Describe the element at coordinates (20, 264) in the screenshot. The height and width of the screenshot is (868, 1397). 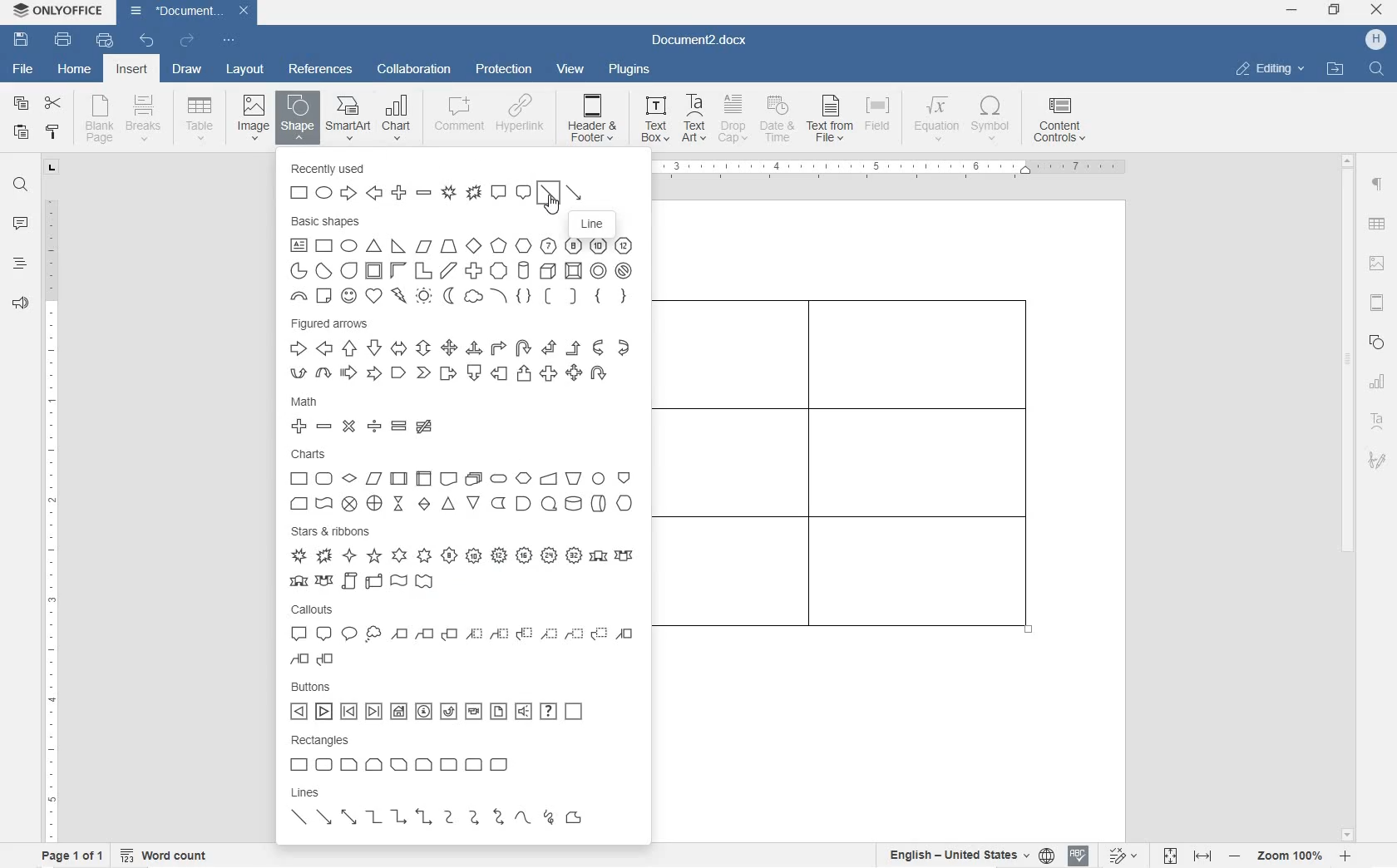
I see `headings` at that location.